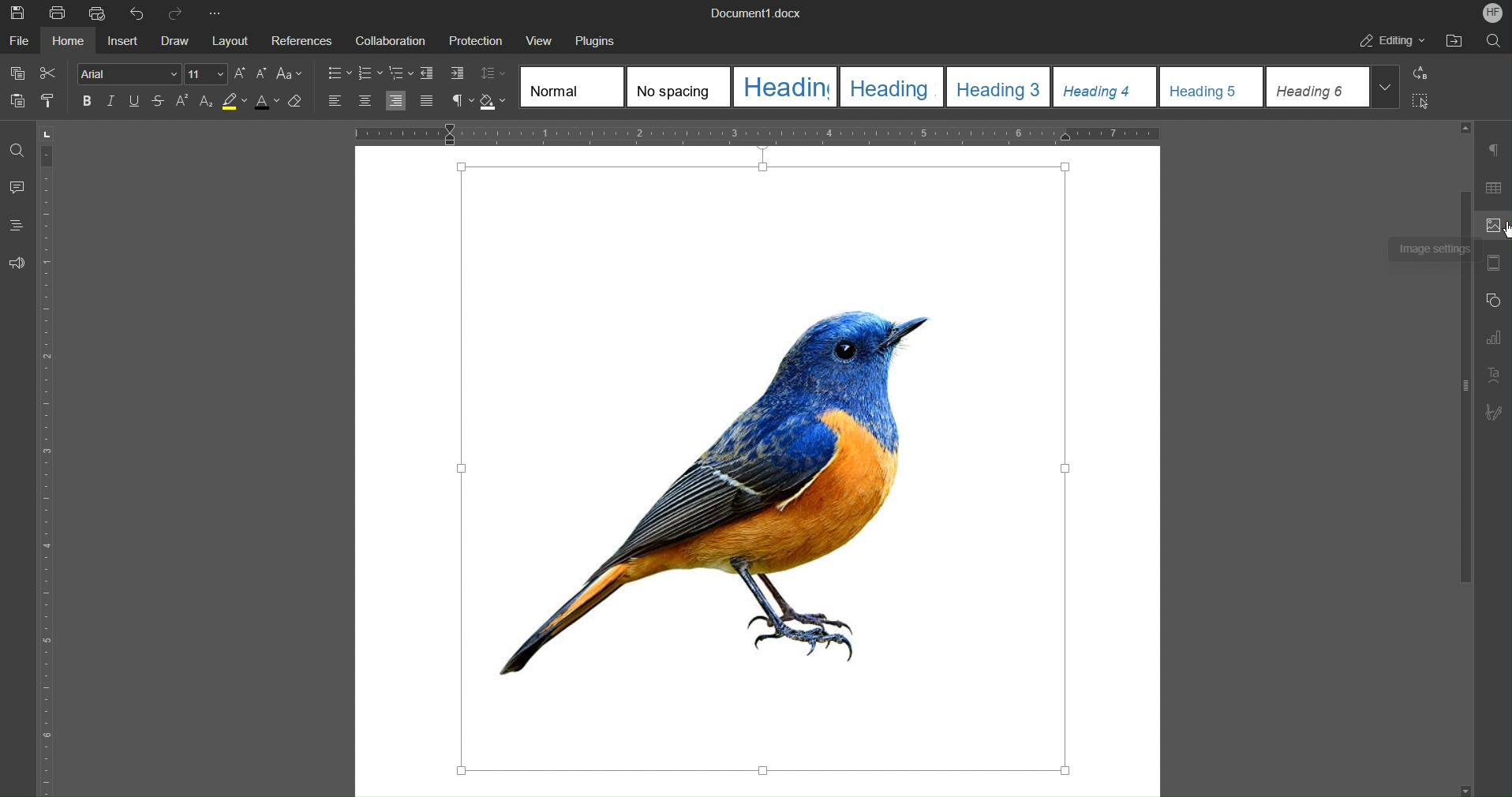  What do you see at coordinates (400, 74) in the screenshot?
I see `Staggered List` at bounding box center [400, 74].